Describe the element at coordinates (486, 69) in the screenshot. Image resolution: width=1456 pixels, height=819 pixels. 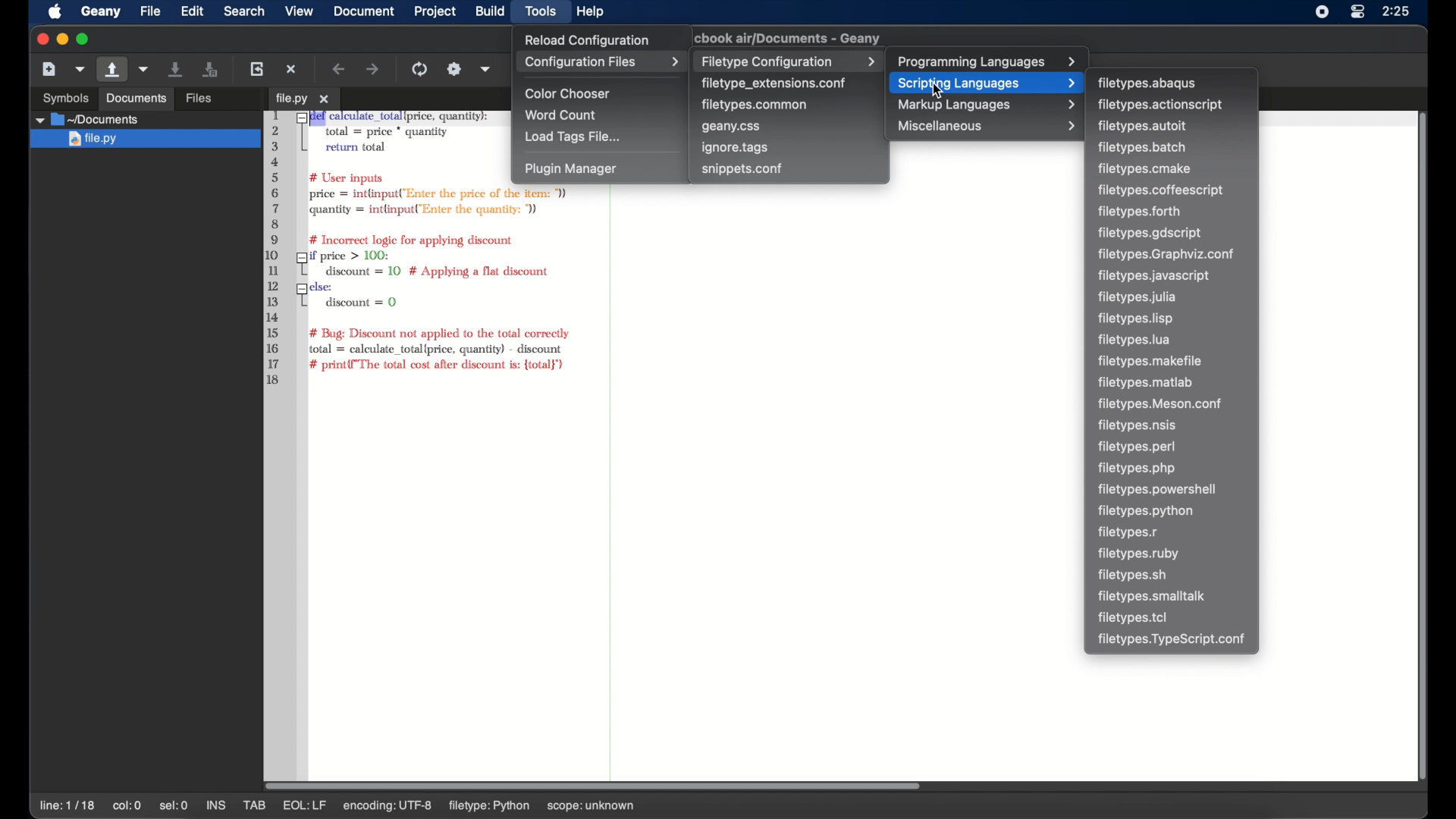
I see `choose more build actions` at that location.